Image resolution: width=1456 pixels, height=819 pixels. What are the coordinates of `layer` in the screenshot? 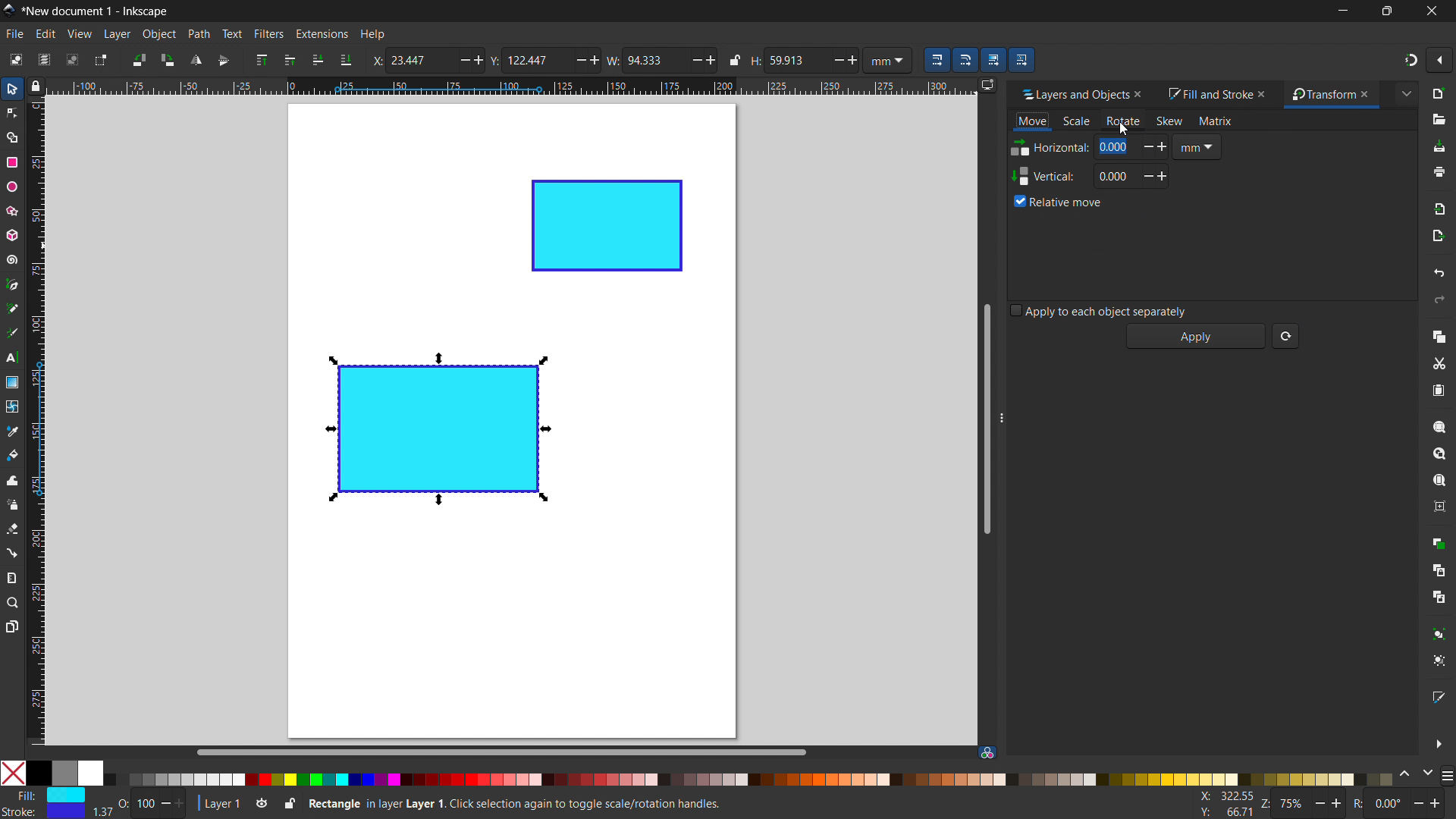 It's located at (117, 34).